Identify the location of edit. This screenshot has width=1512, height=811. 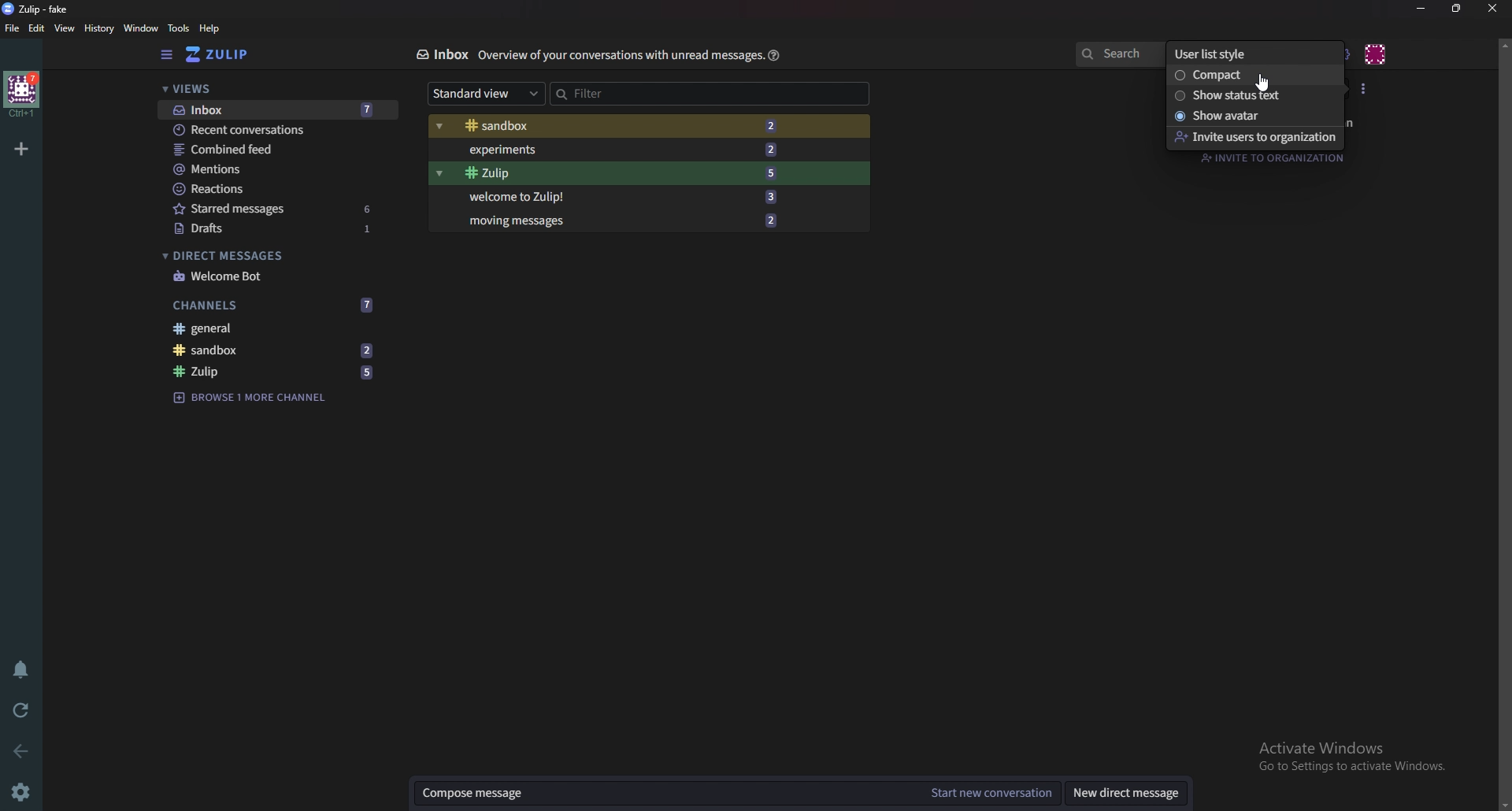
(36, 29).